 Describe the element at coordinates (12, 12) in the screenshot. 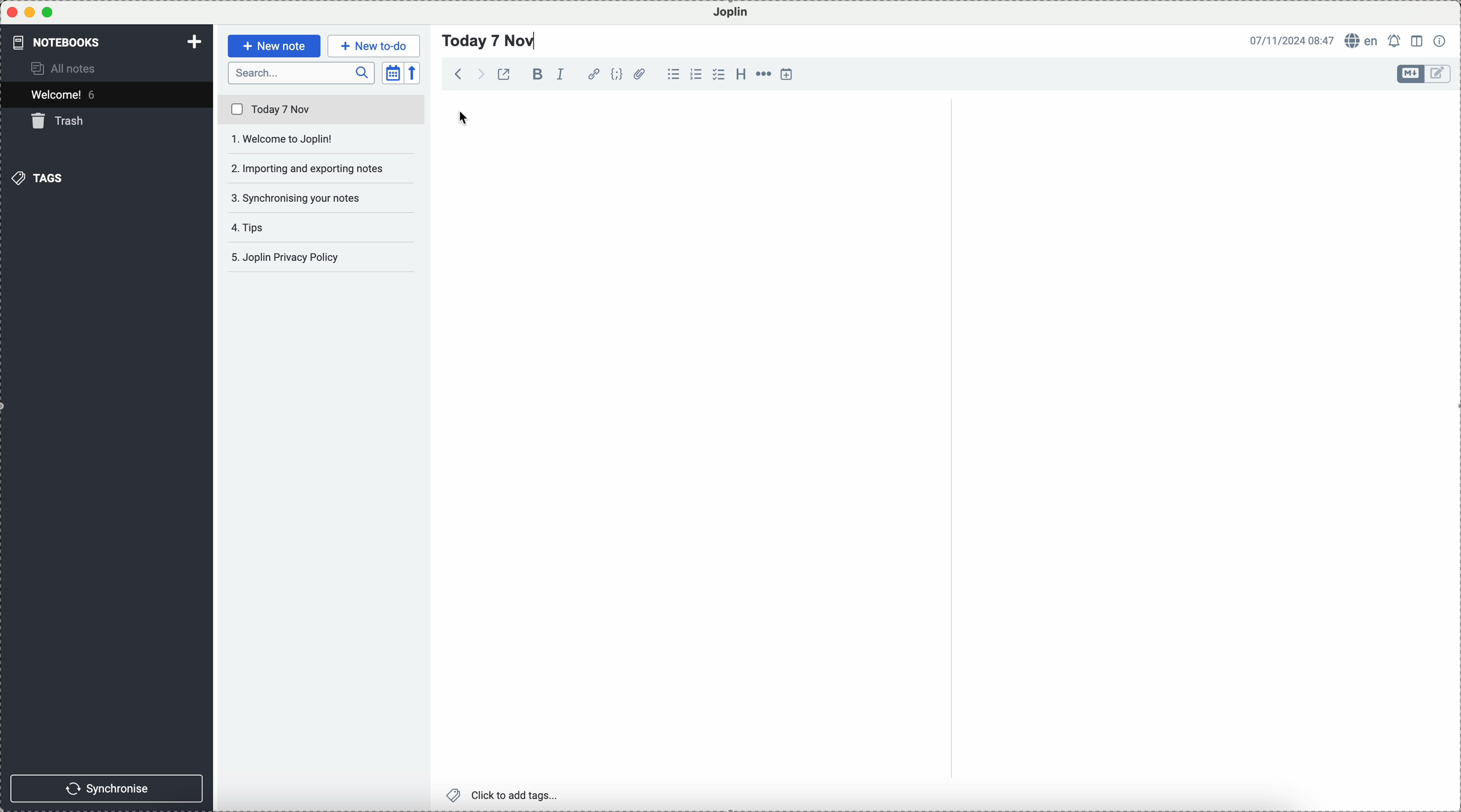

I see `close` at that location.